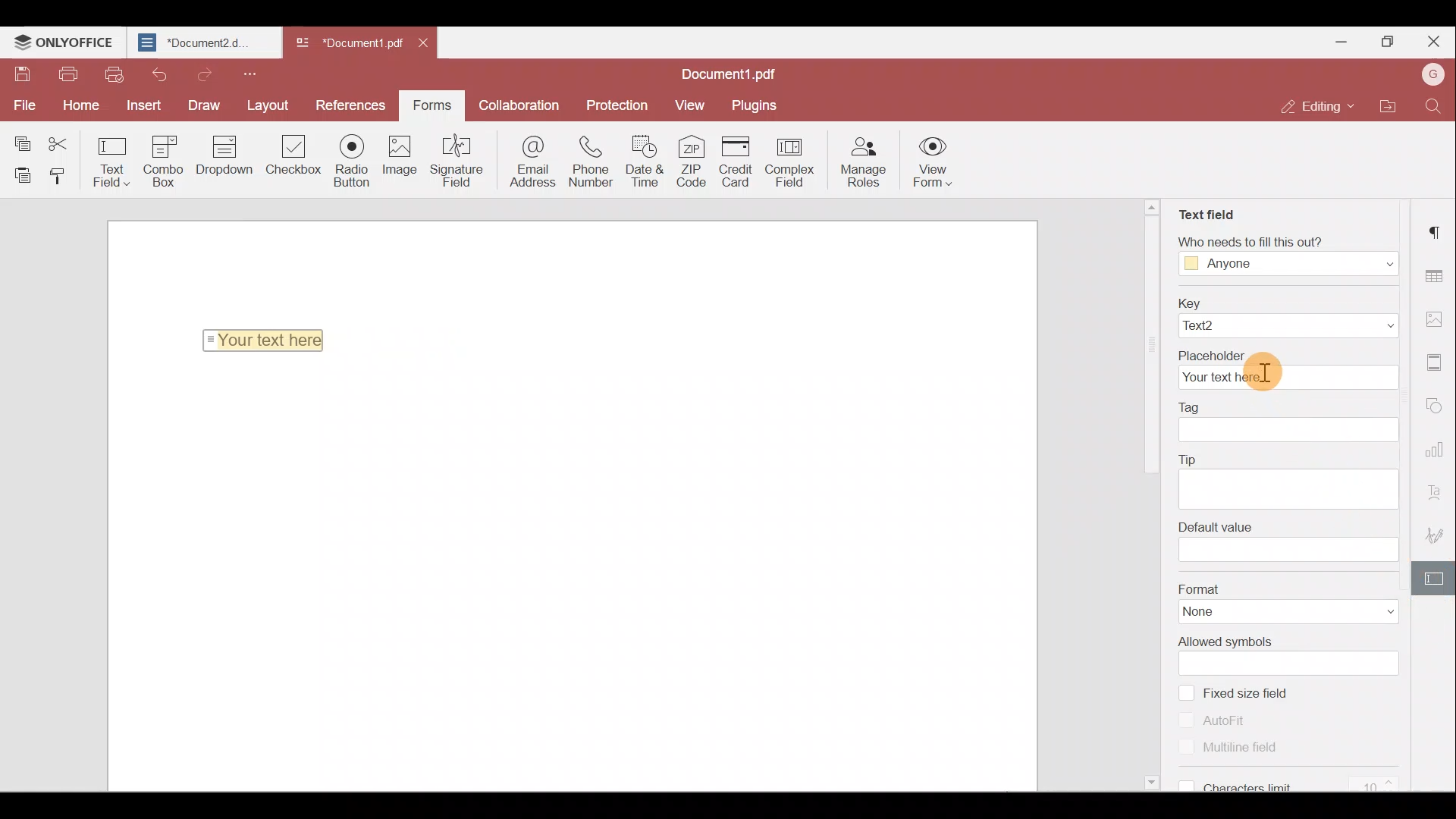  I want to click on Signature field, so click(460, 162).